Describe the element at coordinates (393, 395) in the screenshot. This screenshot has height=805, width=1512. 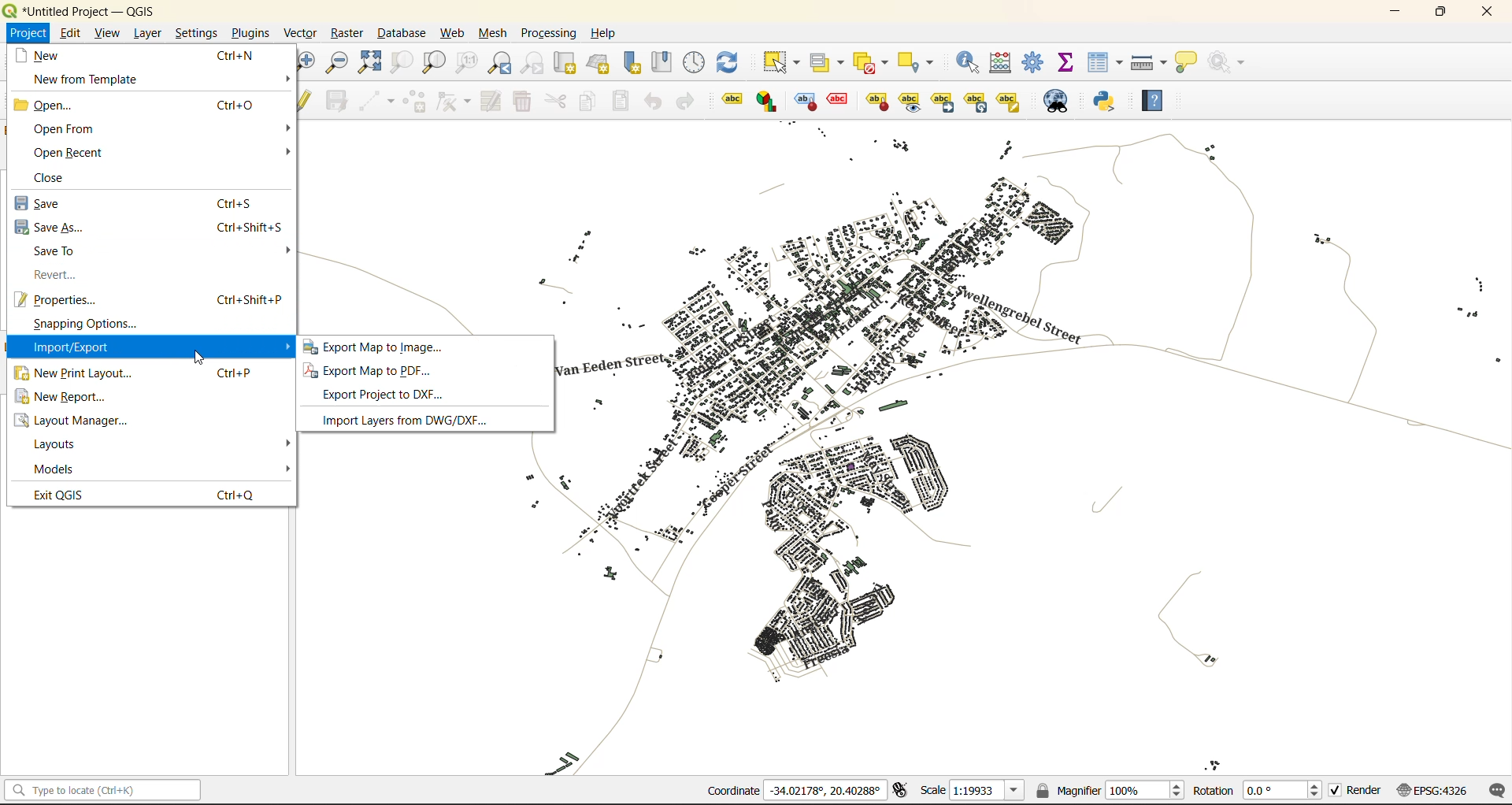
I see `export project to dxf` at that location.